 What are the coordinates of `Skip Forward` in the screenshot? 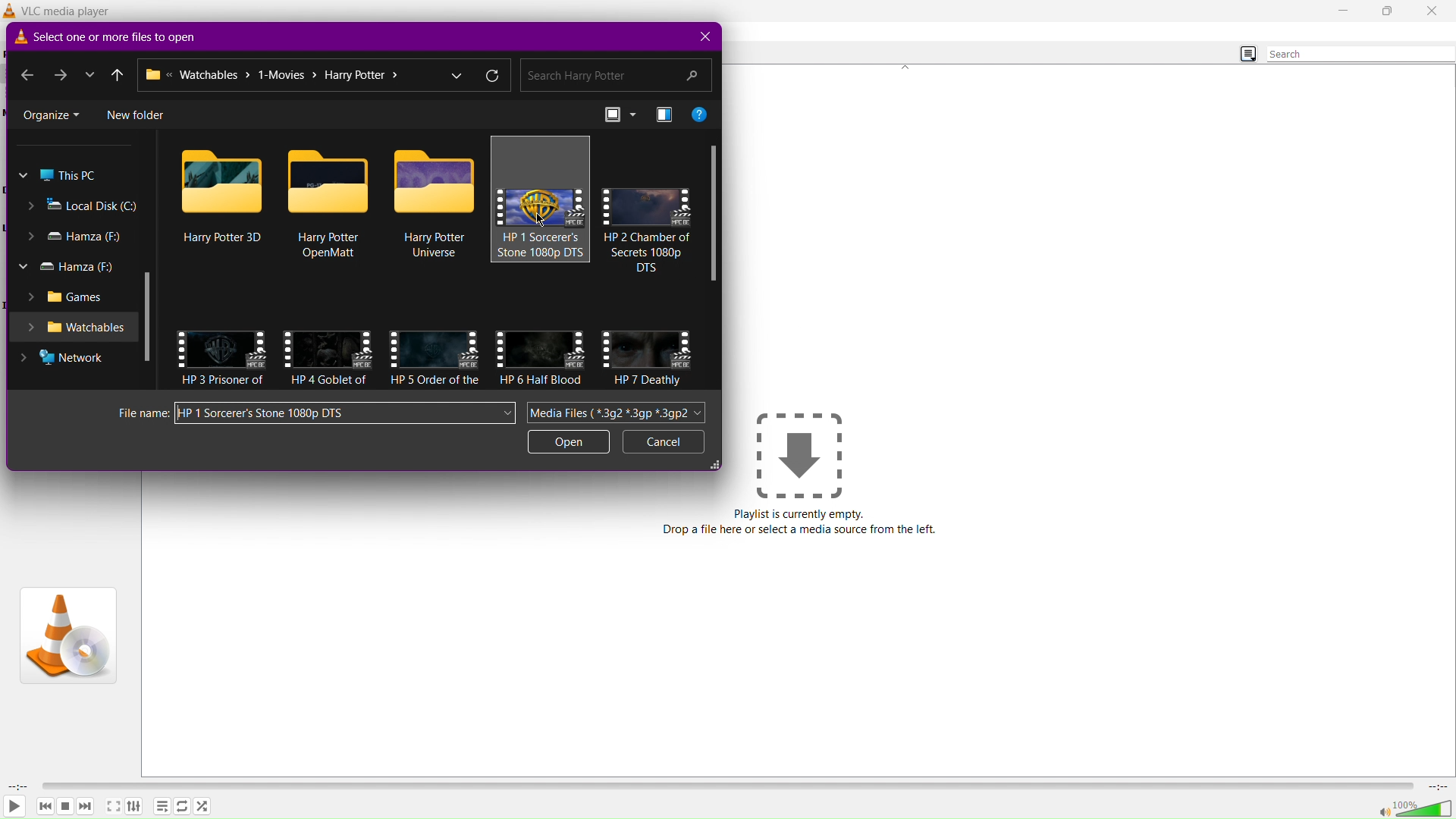 It's located at (86, 806).